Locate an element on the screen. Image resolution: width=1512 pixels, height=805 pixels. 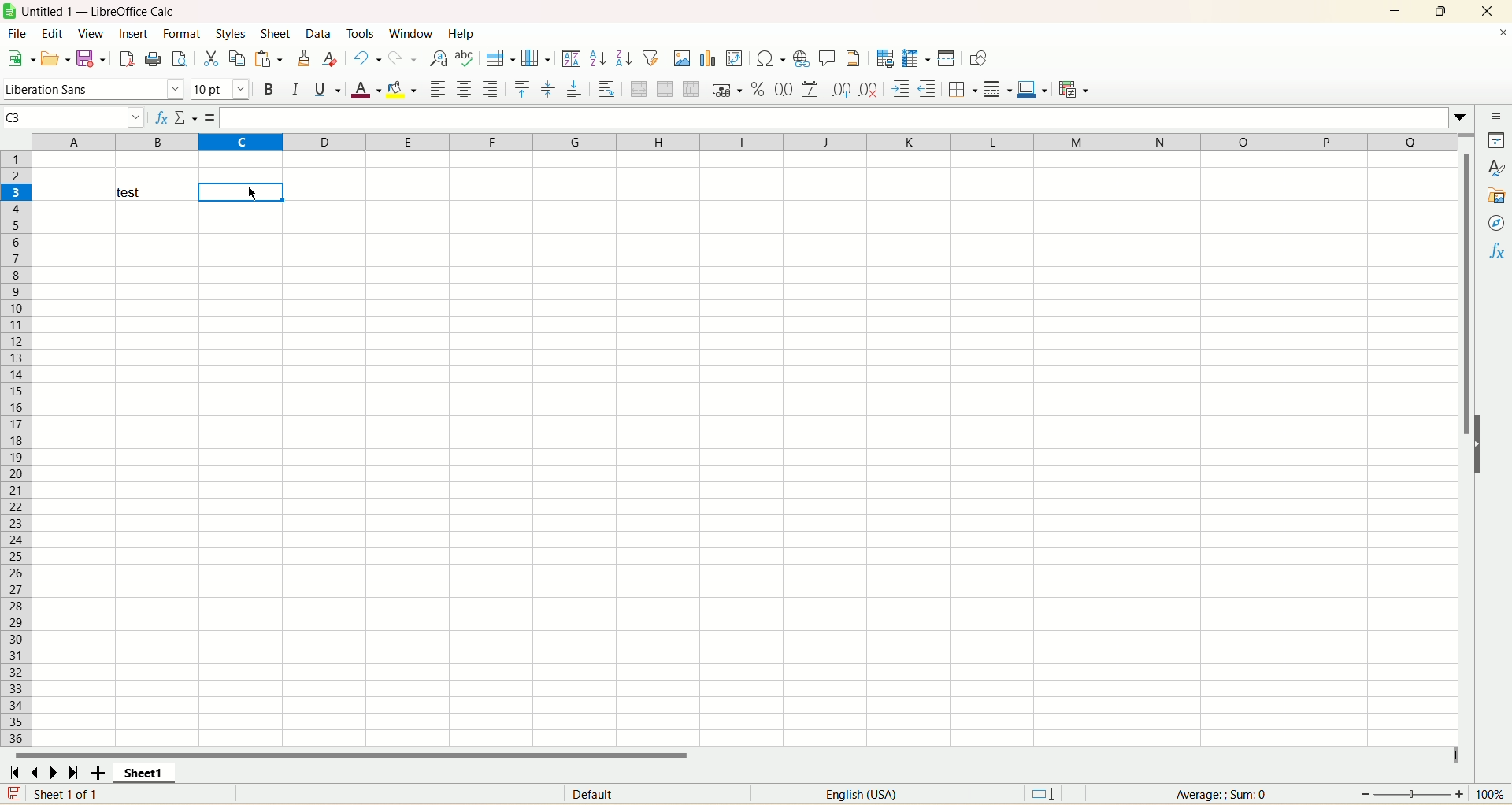
sheet is located at coordinates (276, 33).